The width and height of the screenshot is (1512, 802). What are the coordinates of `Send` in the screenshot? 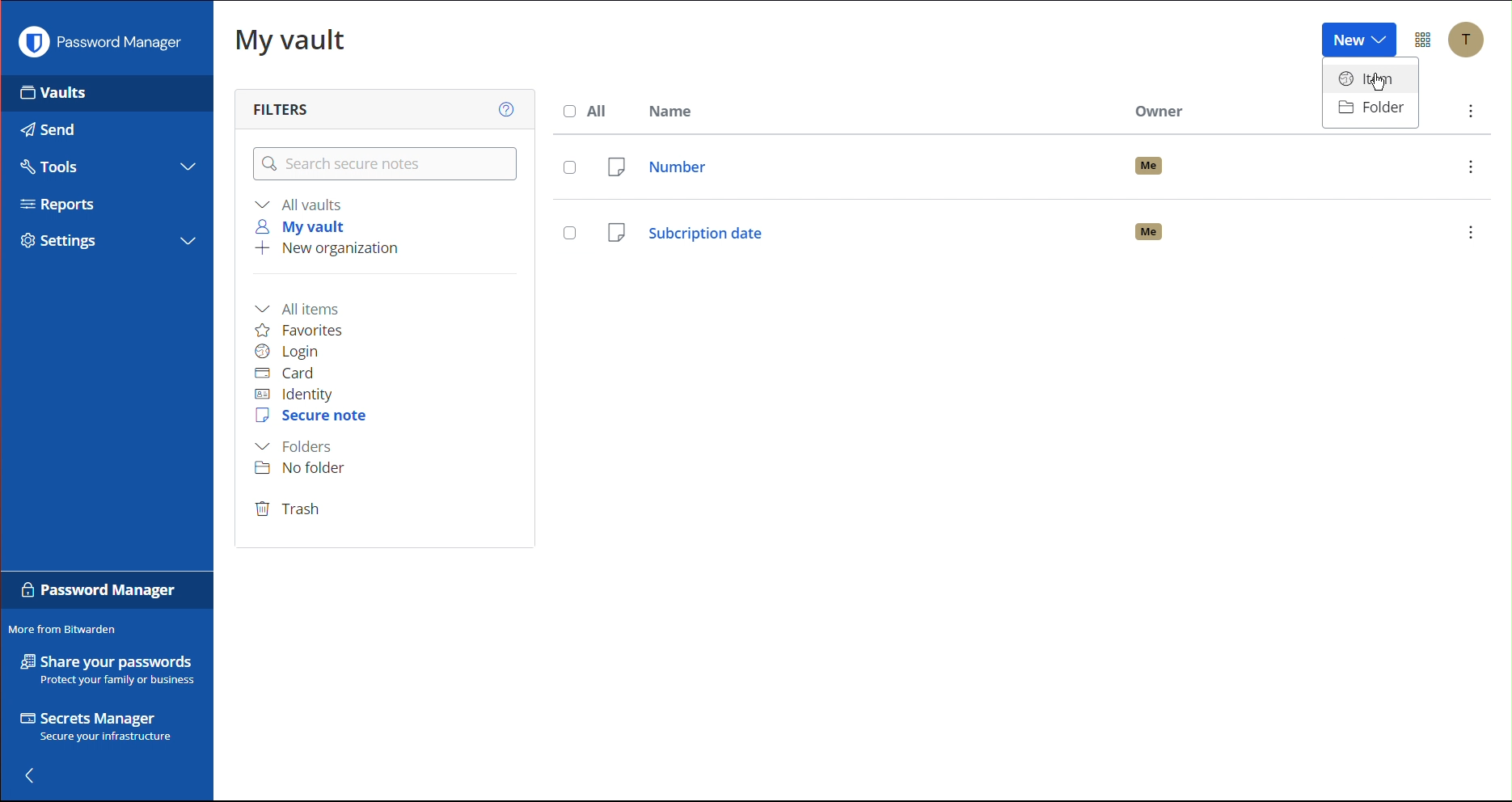 It's located at (48, 129).